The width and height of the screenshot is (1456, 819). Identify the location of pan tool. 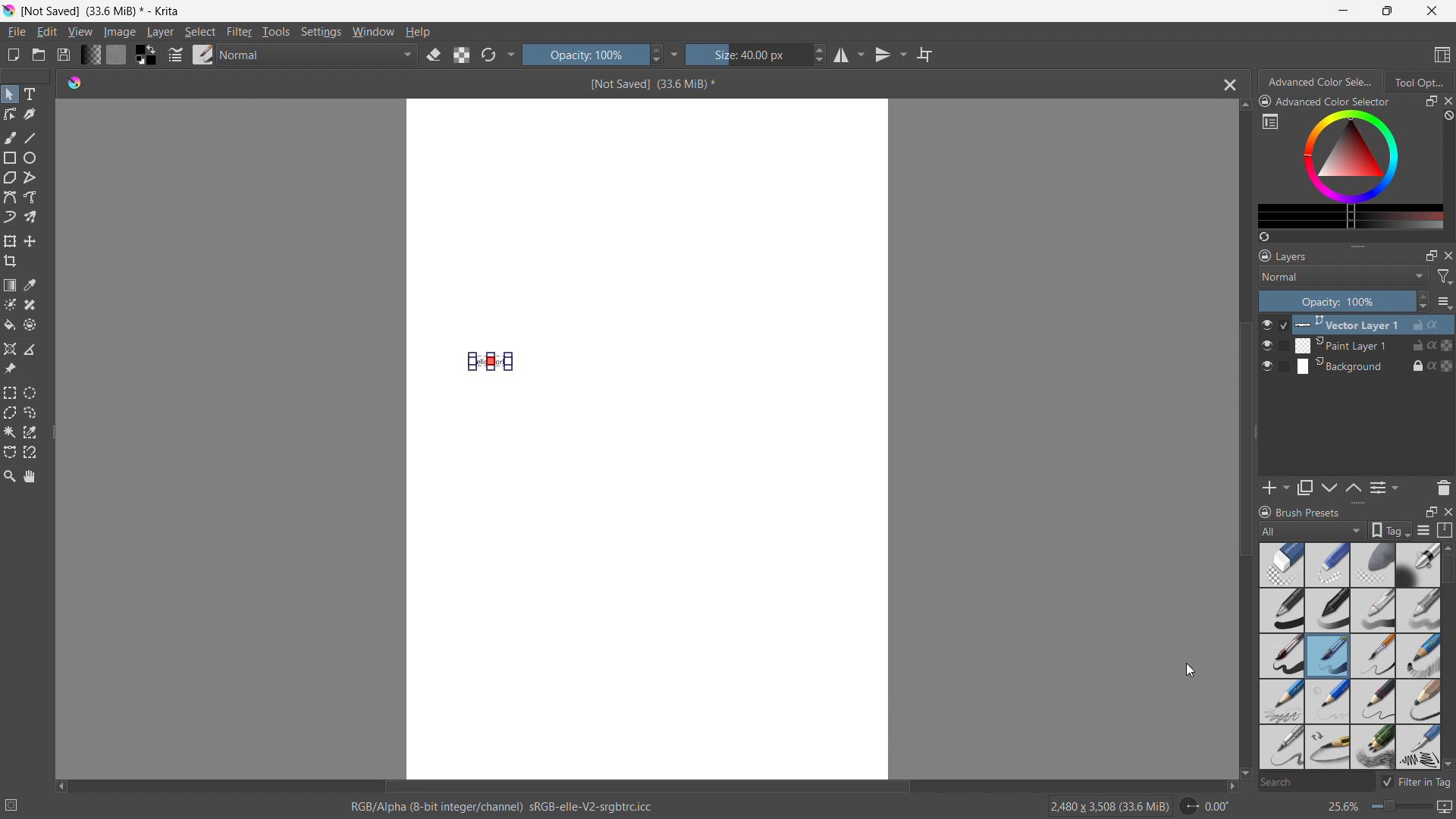
(30, 476).